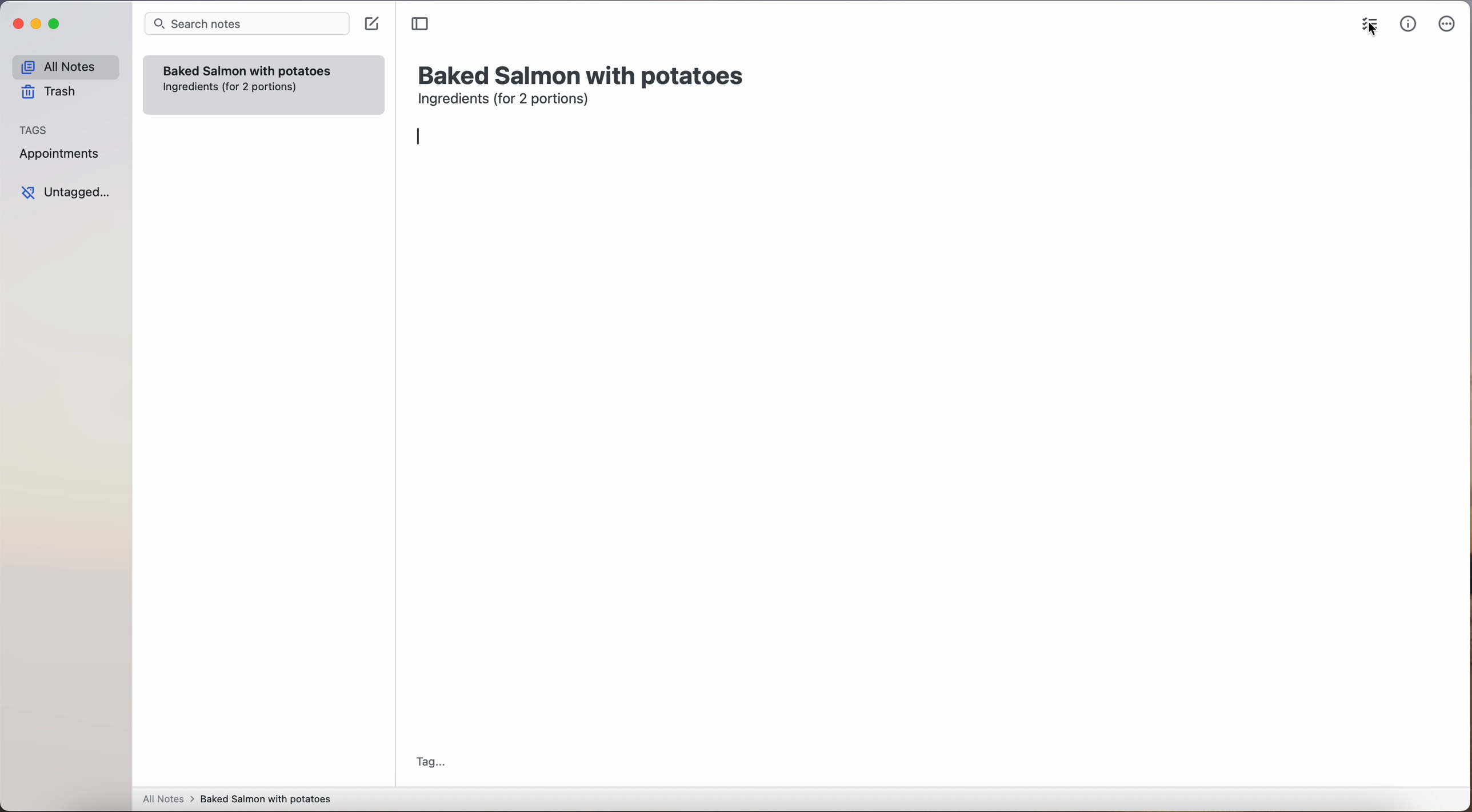 This screenshot has width=1472, height=812. Describe the element at coordinates (36, 25) in the screenshot. I see `minimize Simplenote` at that location.